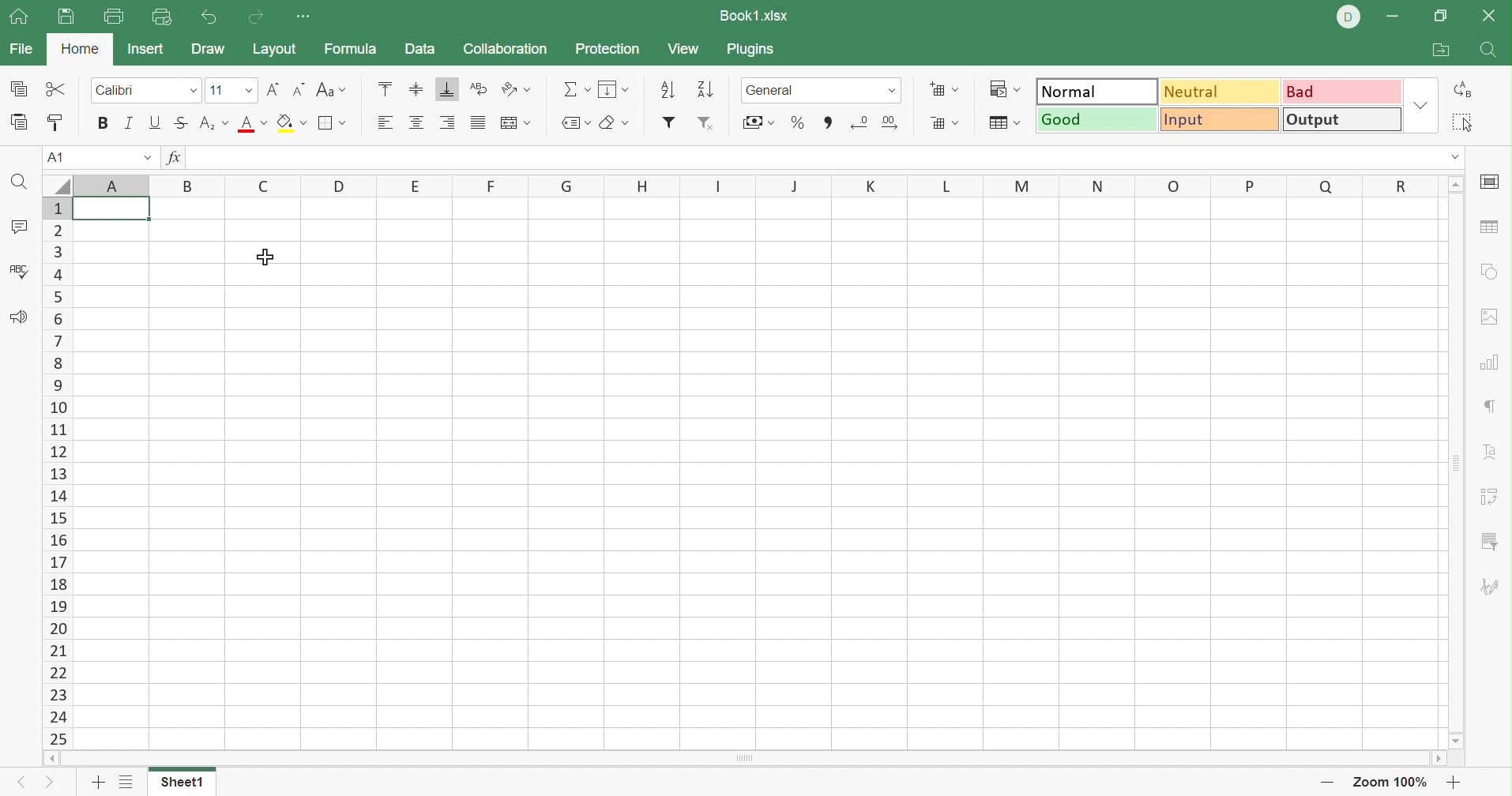  I want to click on Strikethrough, so click(181, 123).